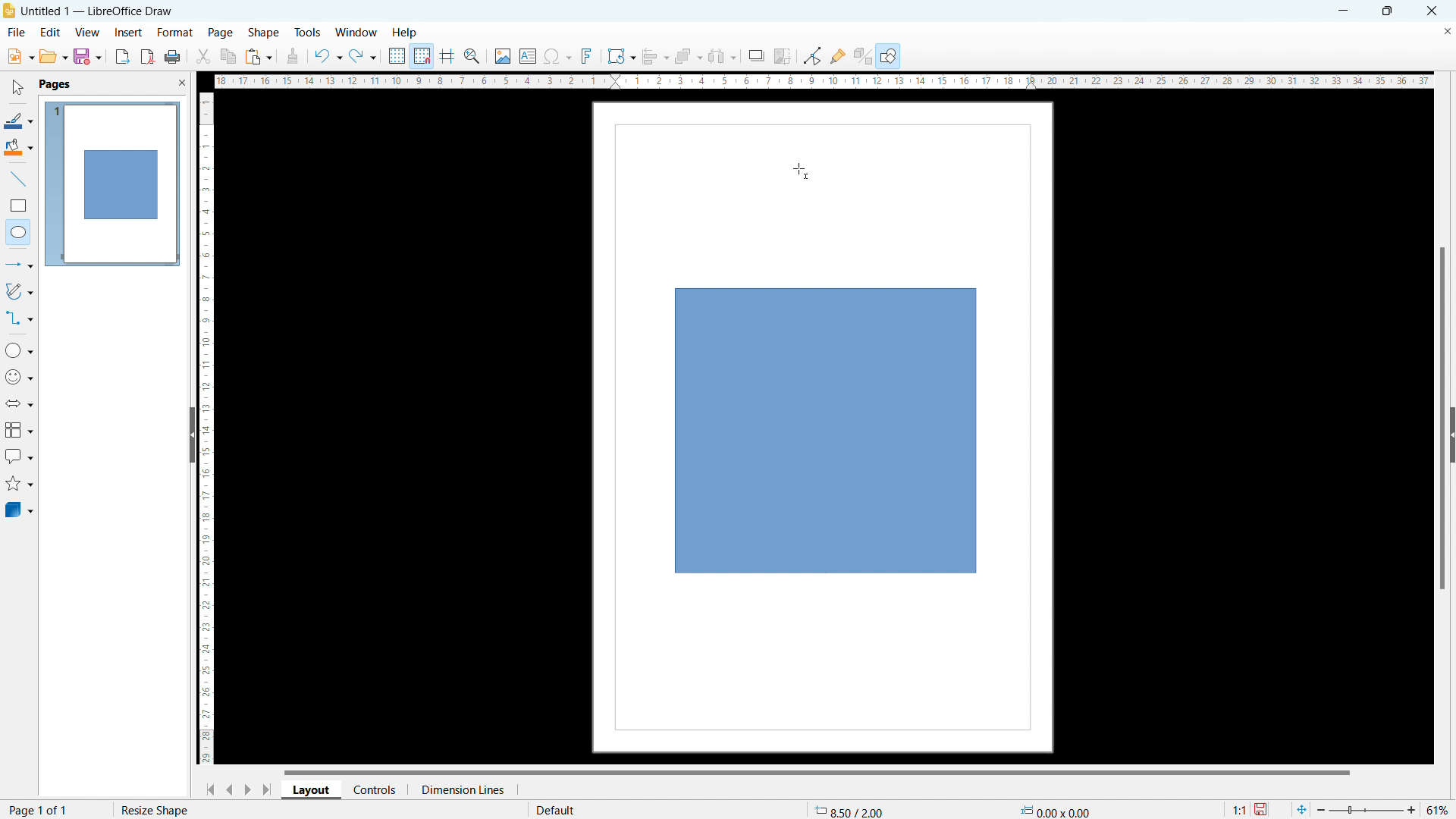 This screenshot has width=1456, height=819. What do you see at coordinates (824, 80) in the screenshot?
I see `horizontal ruler` at bounding box center [824, 80].